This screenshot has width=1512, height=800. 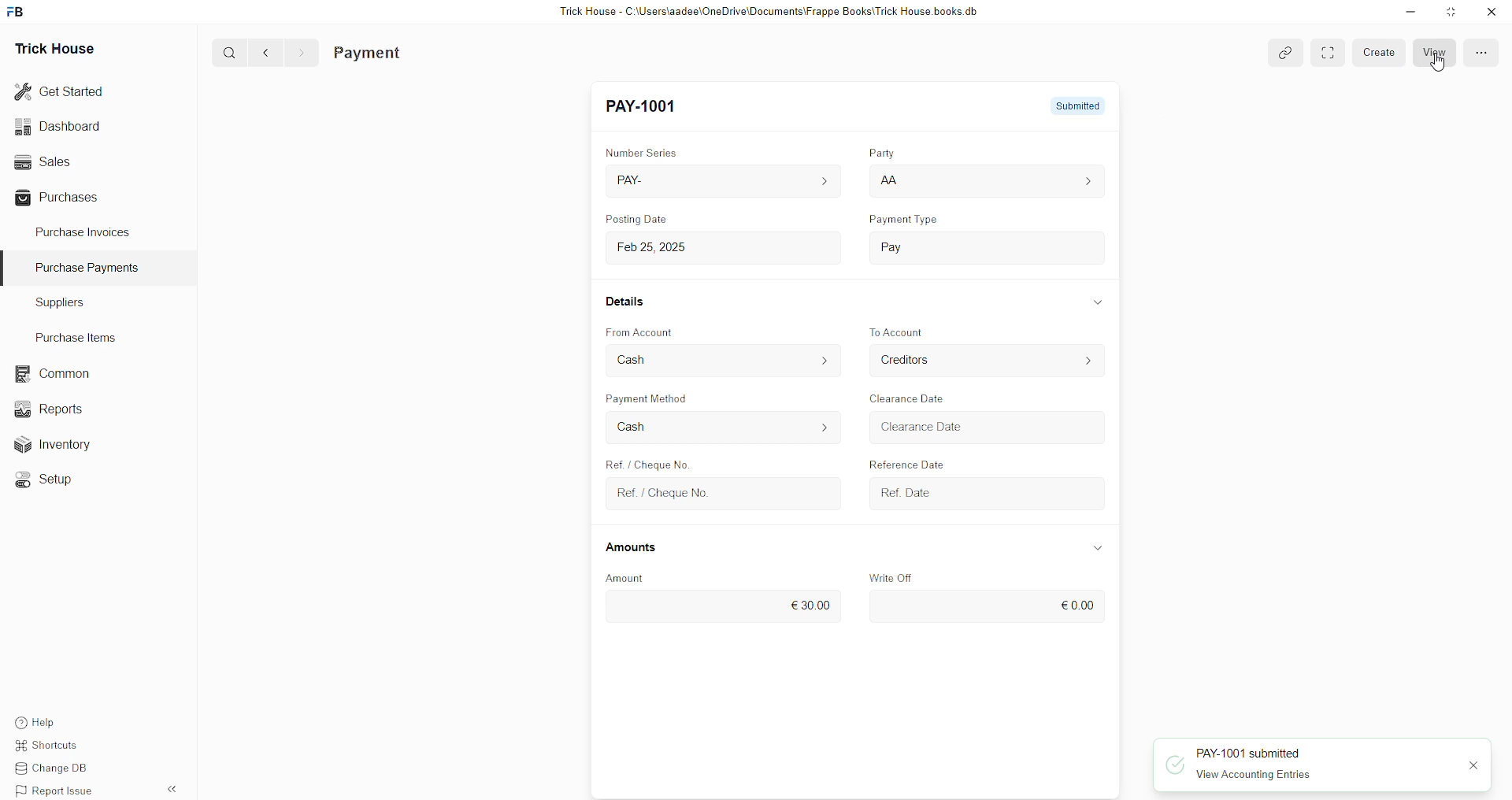 I want to click on Ref. Date, so click(x=913, y=490).